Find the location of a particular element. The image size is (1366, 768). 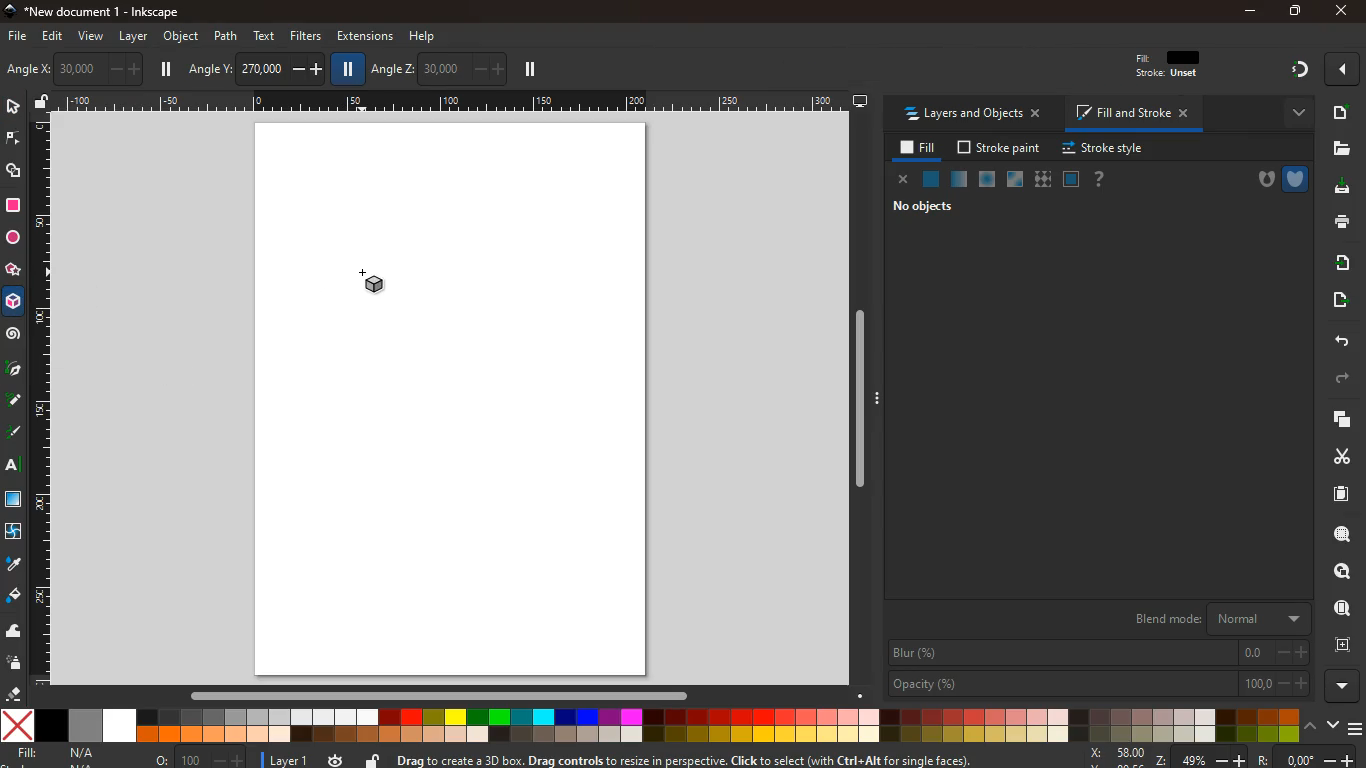

layers is located at coordinates (1338, 421).